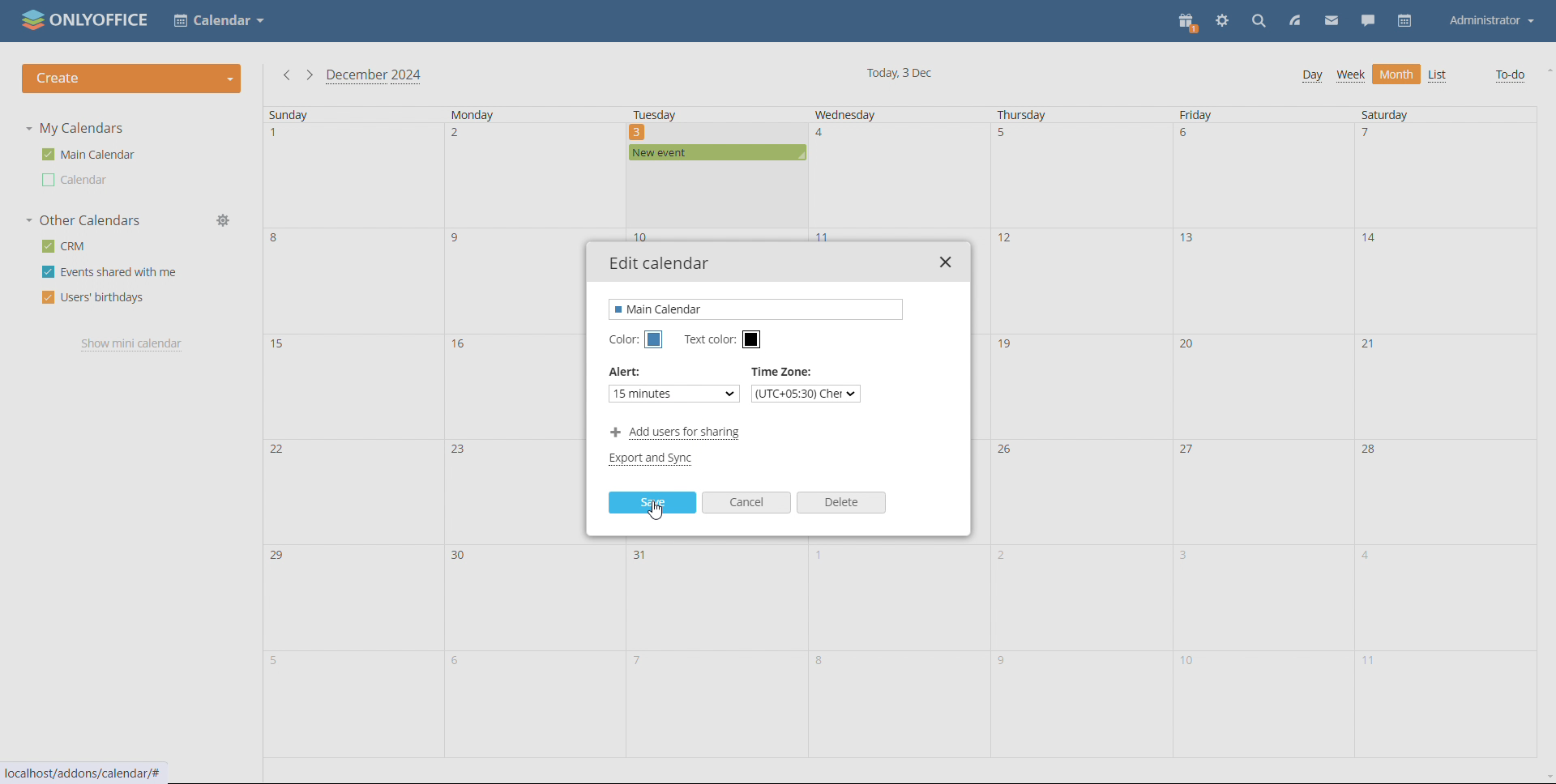 Image resolution: width=1556 pixels, height=784 pixels. Describe the element at coordinates (1443, 177) in the screenshot. I see `date` at that location.